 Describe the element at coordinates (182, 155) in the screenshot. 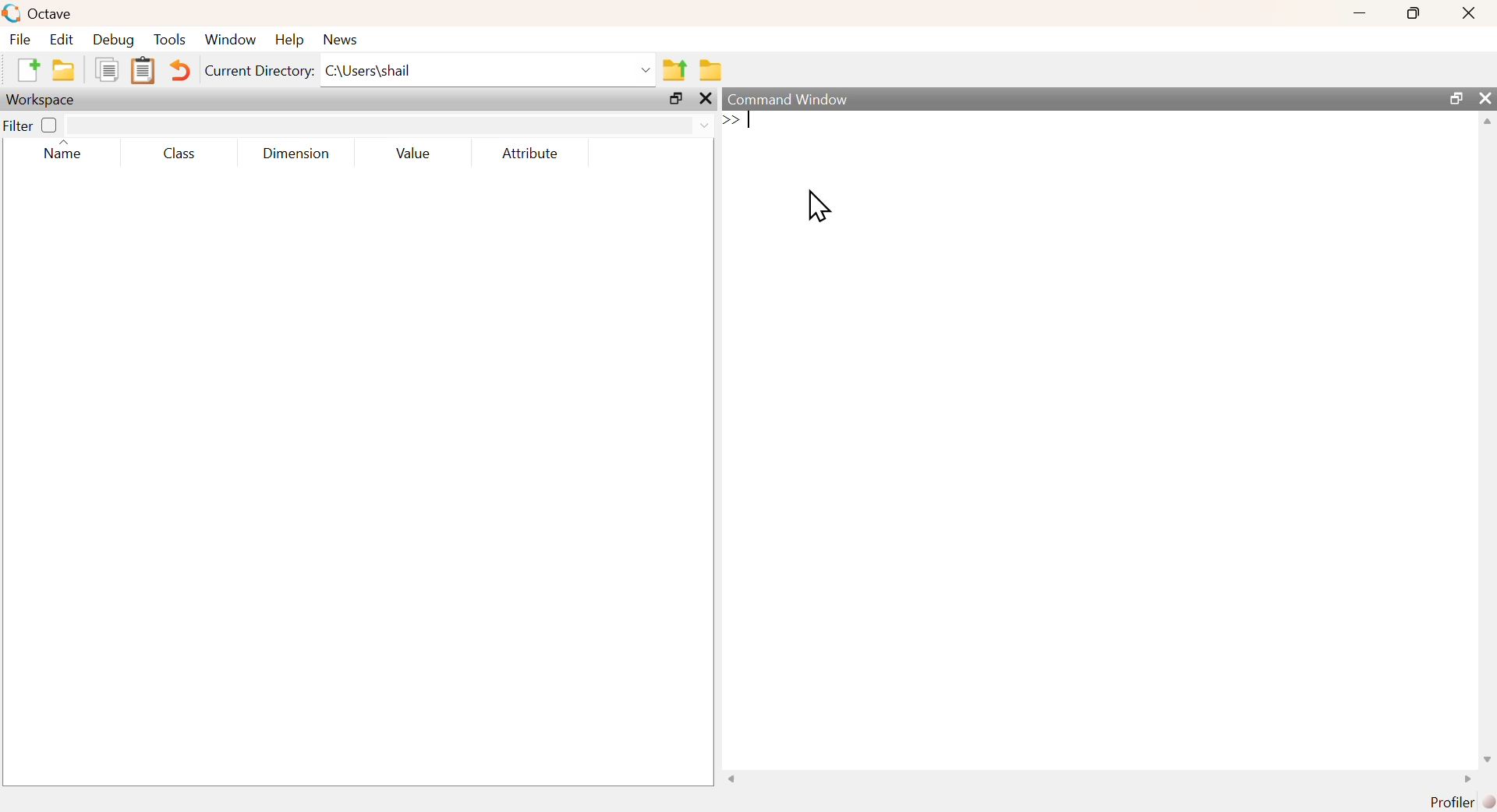

I see `Class` at that location.